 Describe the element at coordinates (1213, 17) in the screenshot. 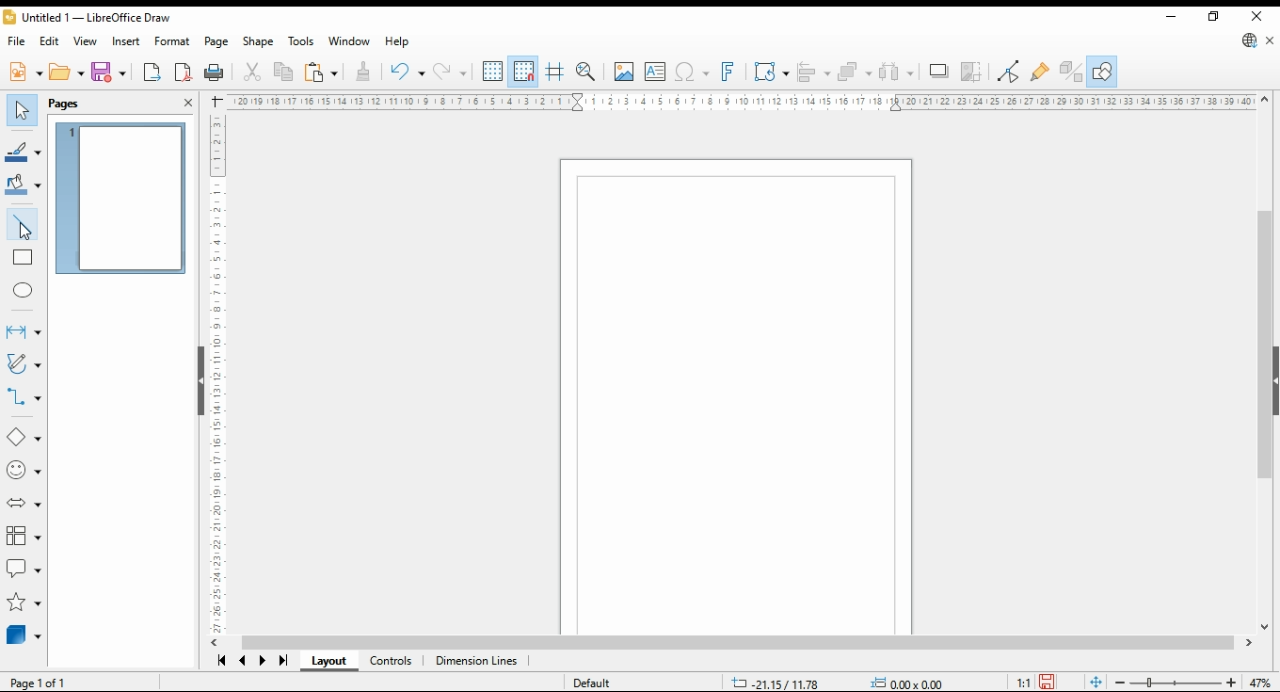

I see `restore` at that location.